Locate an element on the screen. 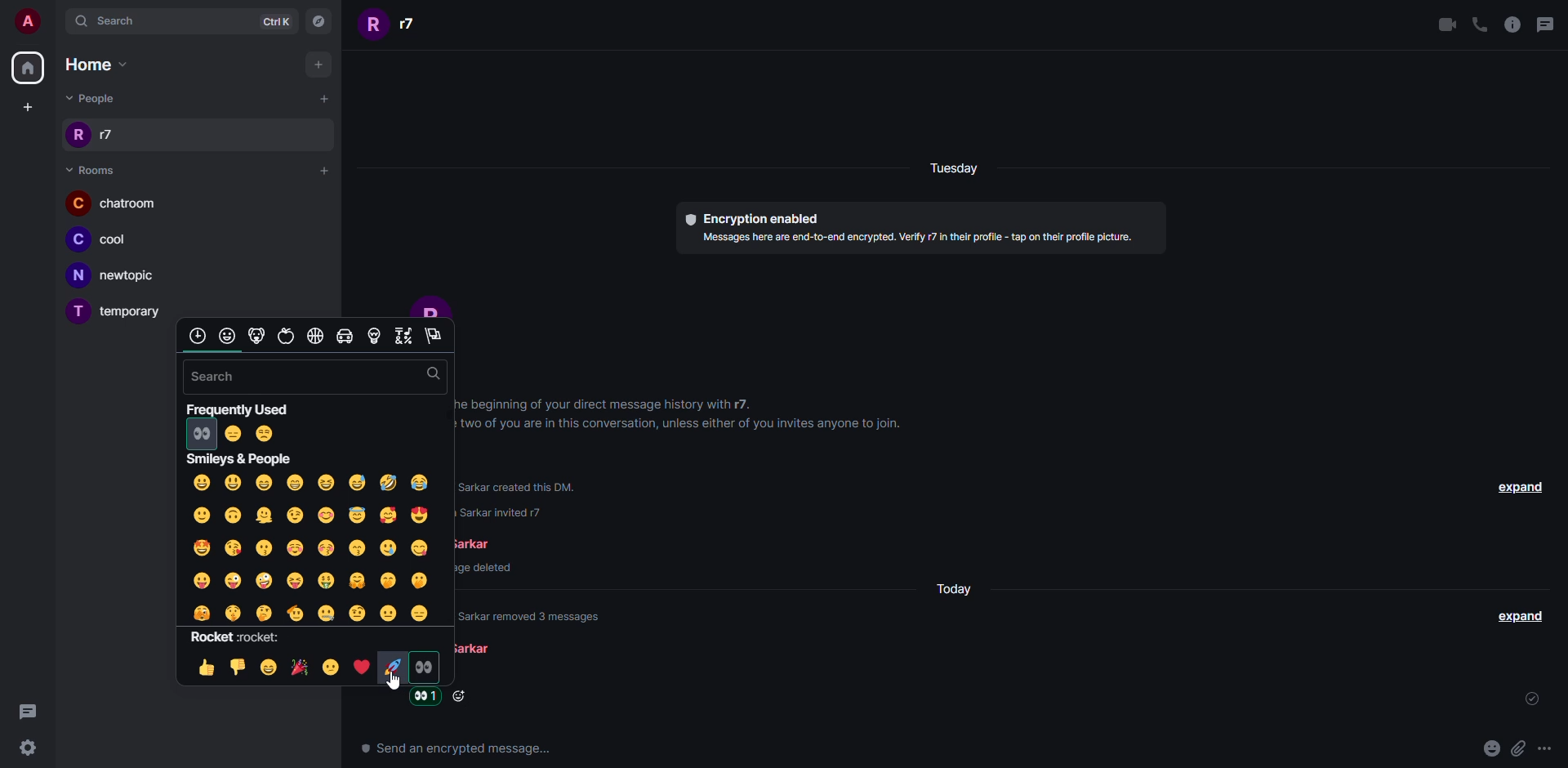 This screenshot has width=1568, height=768. message deleted is located at coordinates (489, 567).